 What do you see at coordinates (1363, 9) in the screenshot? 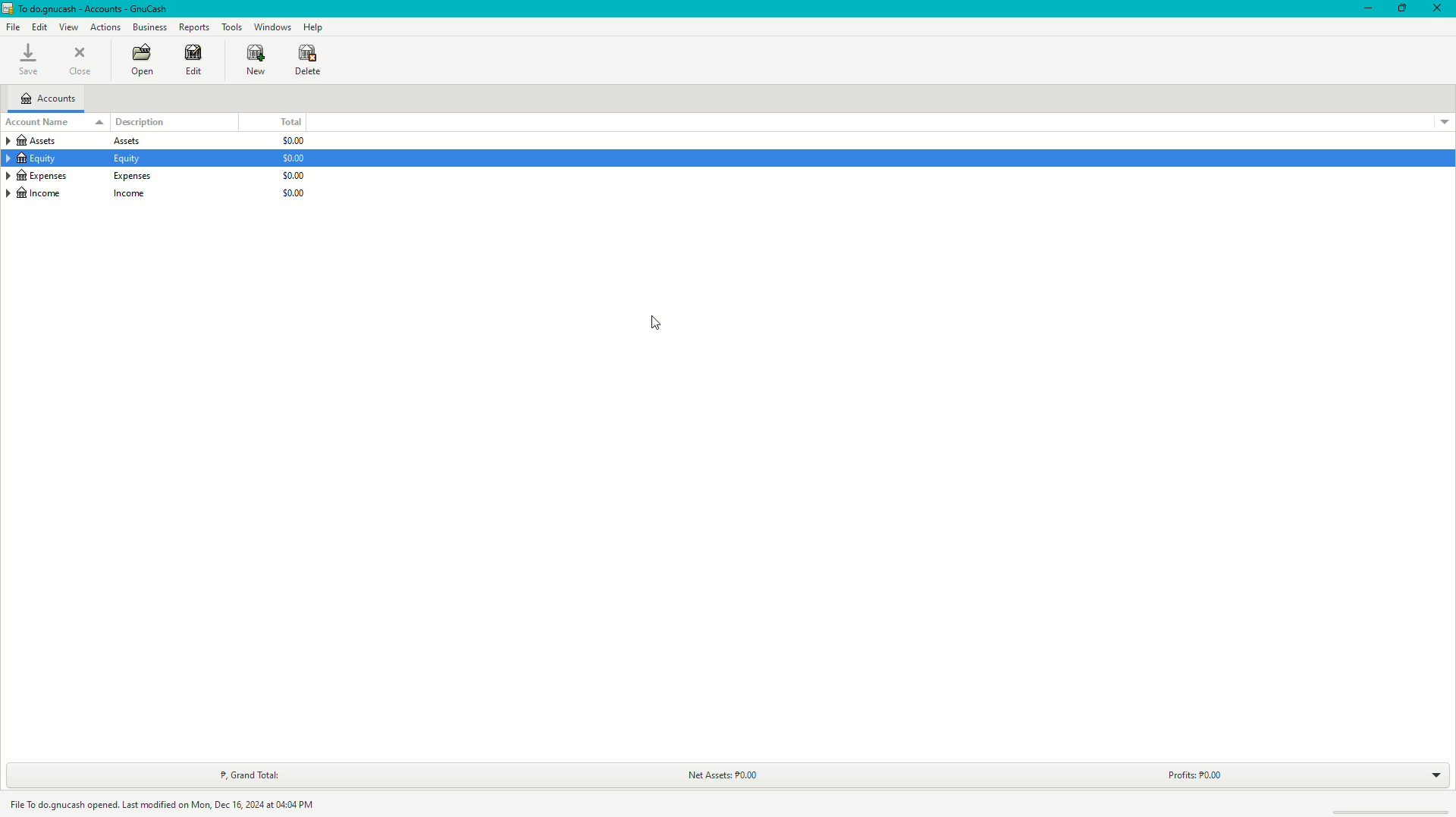
I see `Minimize` at bounding box center [1363, 9].